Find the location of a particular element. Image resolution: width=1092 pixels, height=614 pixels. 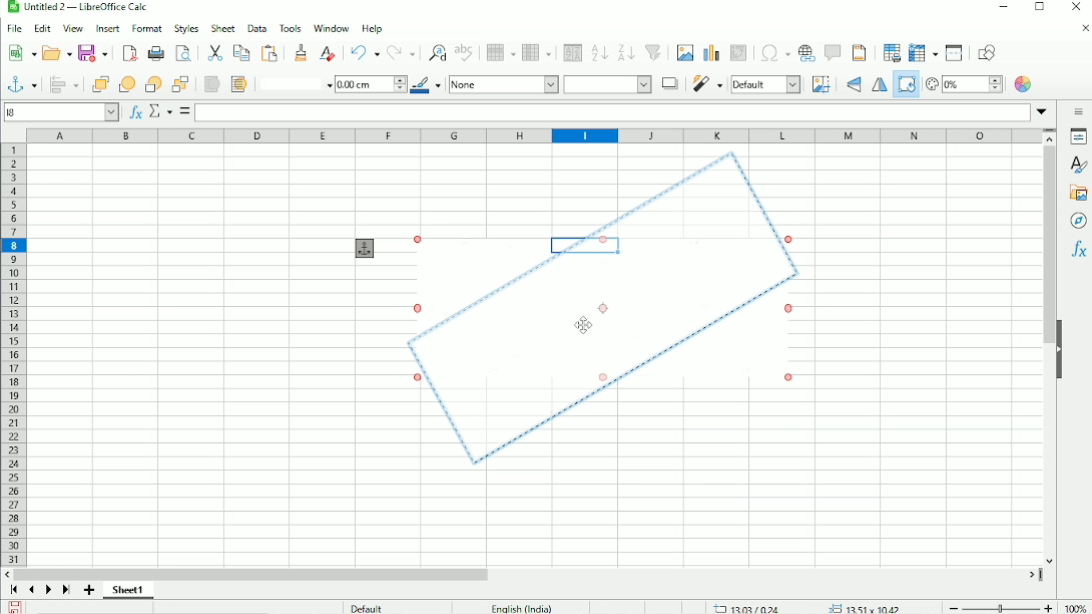

Shadow is located at coordinates (670, 84).